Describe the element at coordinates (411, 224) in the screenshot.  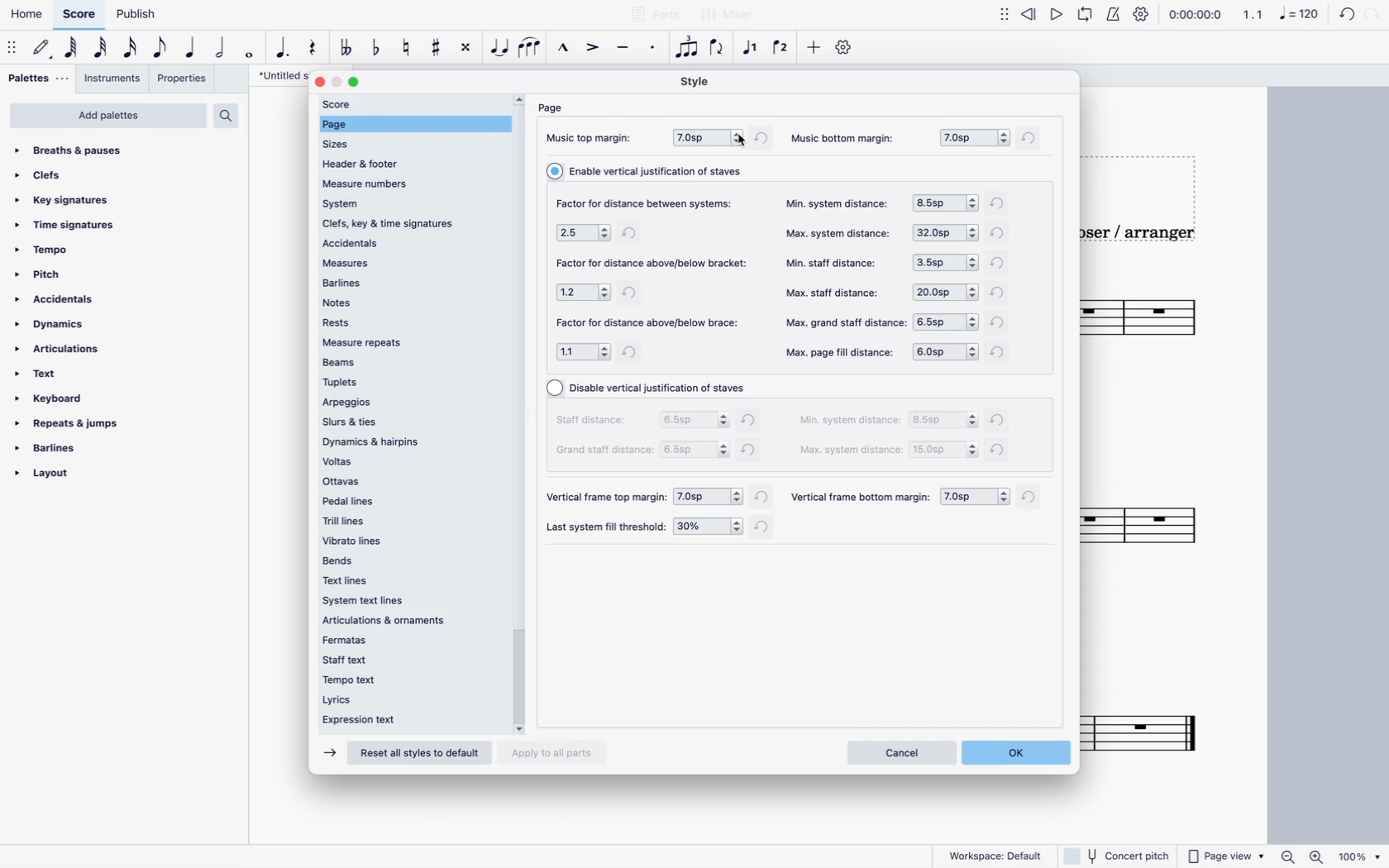
I see `clefs, key & time signatures` at that location.